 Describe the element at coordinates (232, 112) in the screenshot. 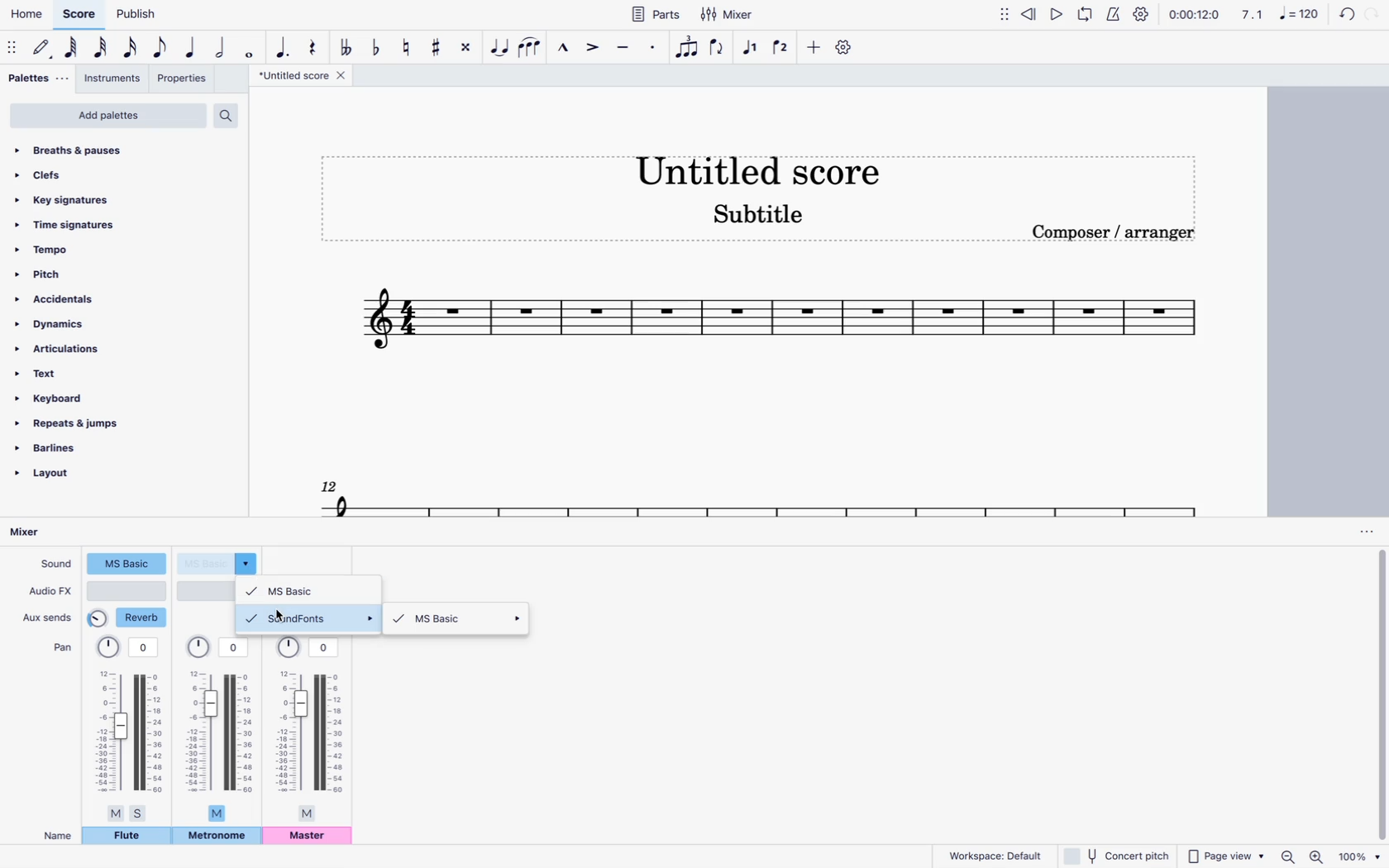

I see `search` at that location.